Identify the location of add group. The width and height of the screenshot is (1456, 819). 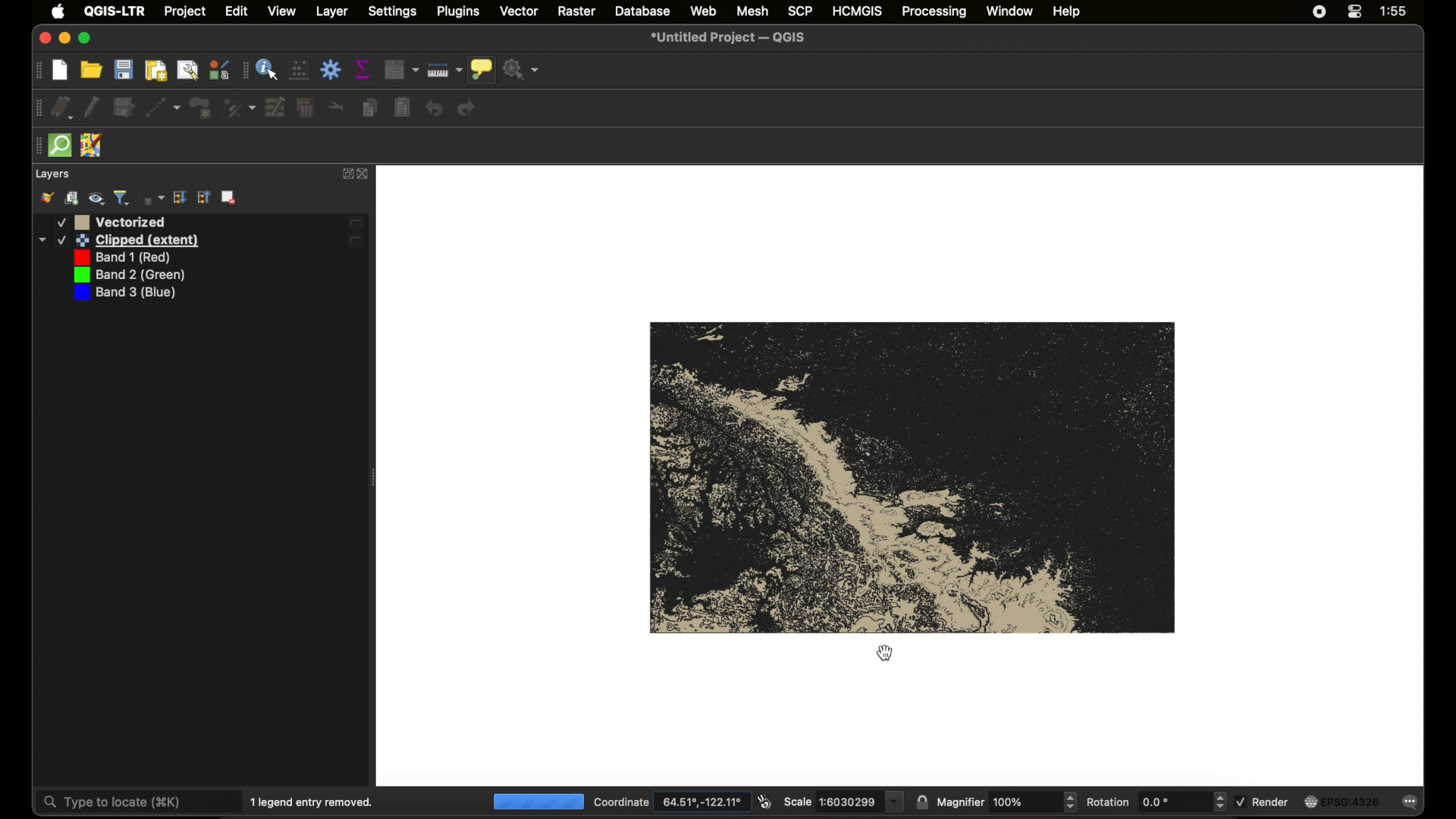
(72, 198).